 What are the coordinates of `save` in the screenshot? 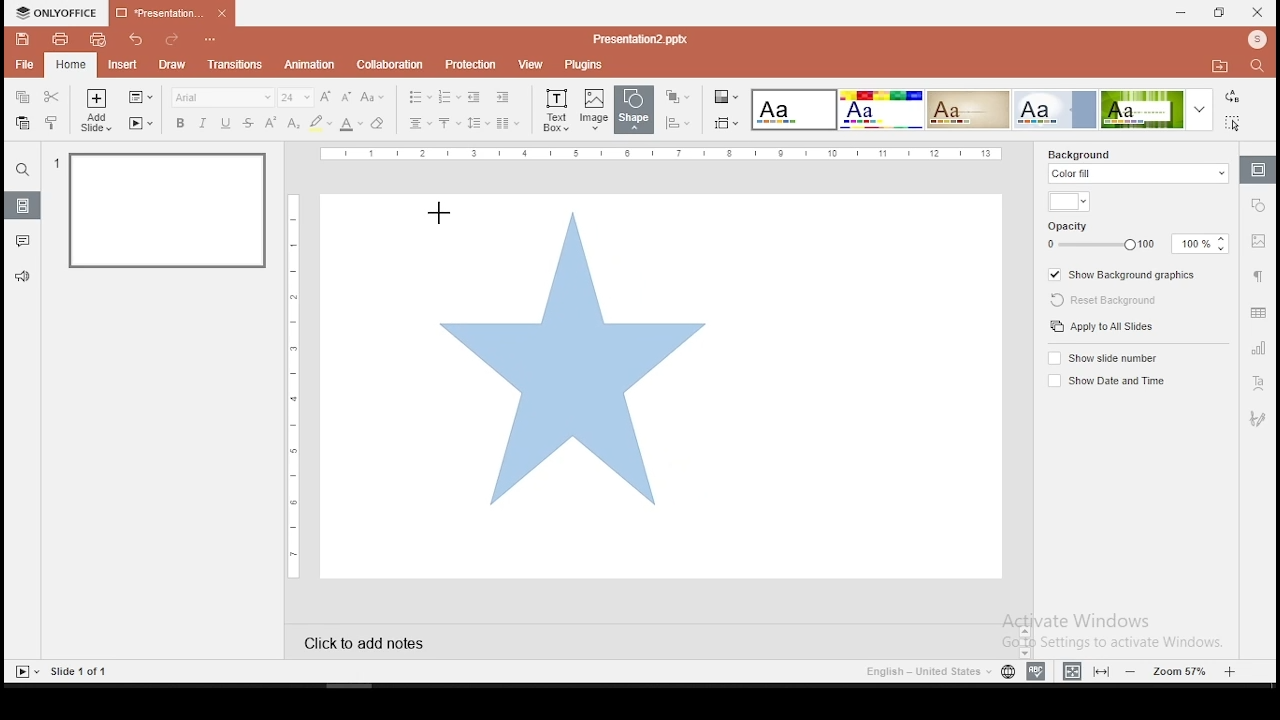 It's located at (23, 39).